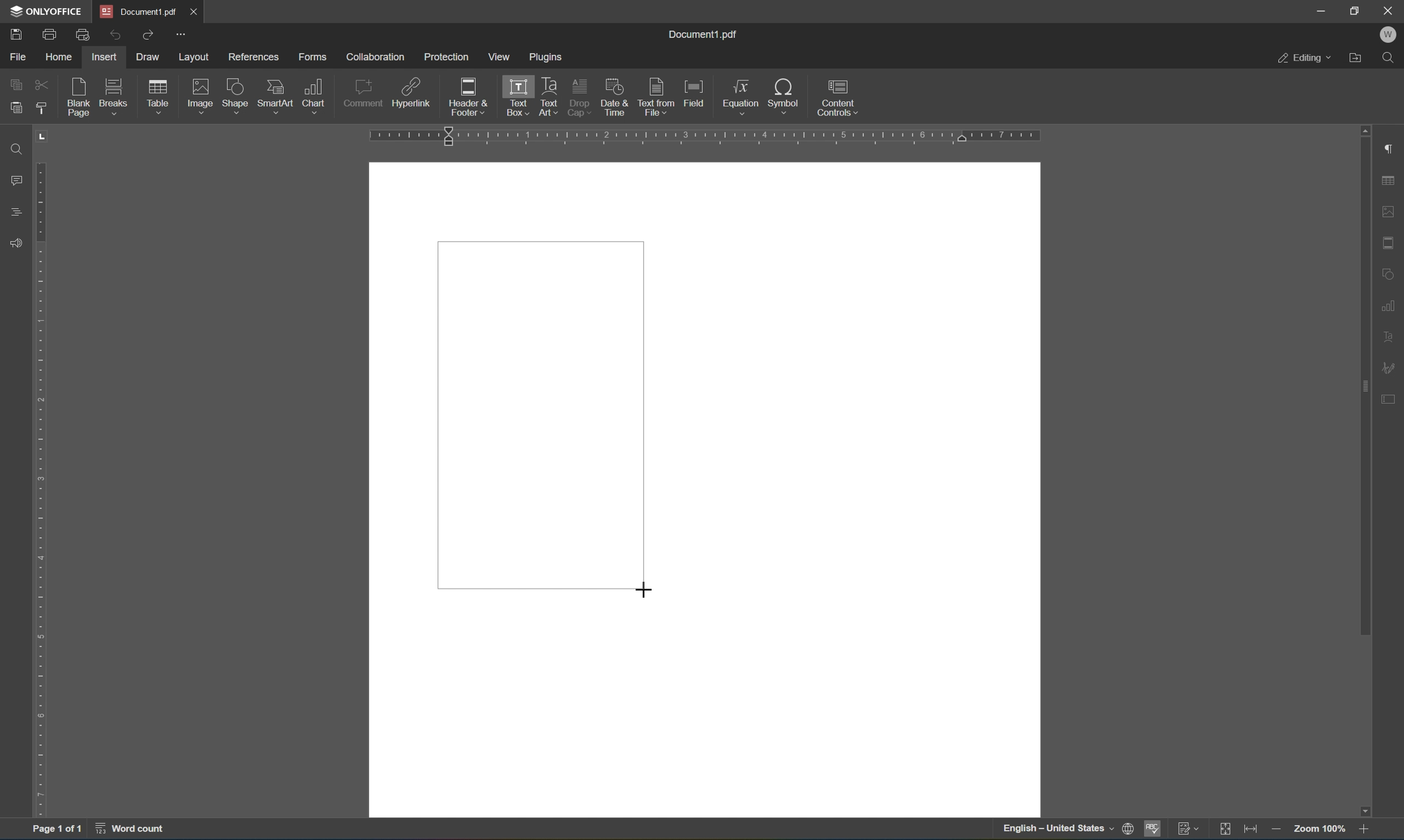  What do you see at coordinates (14, 243) in the screenshot?
I see `Feedback and support` at bounding box center [14, 243].